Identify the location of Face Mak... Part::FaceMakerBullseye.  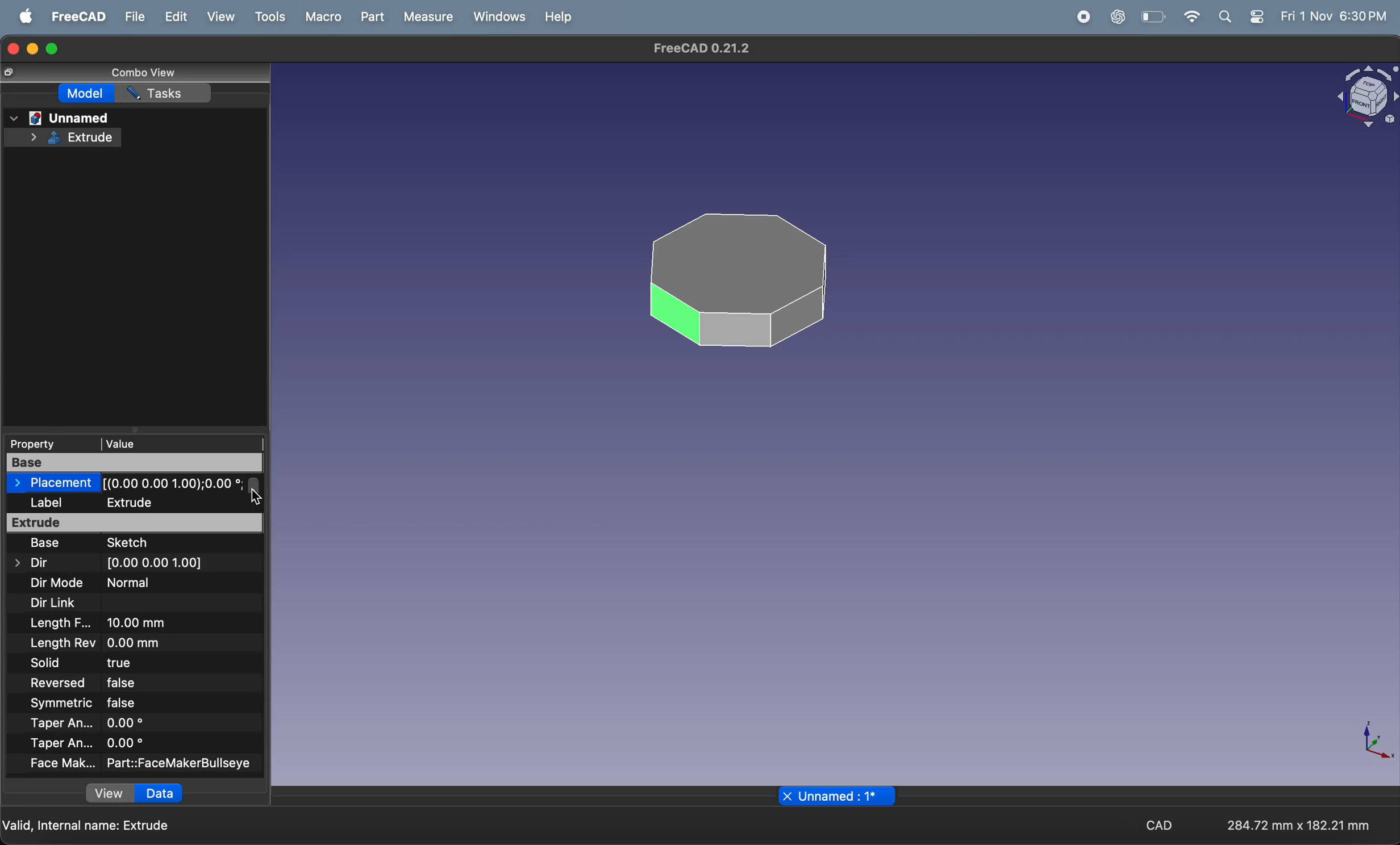
(152, 766).